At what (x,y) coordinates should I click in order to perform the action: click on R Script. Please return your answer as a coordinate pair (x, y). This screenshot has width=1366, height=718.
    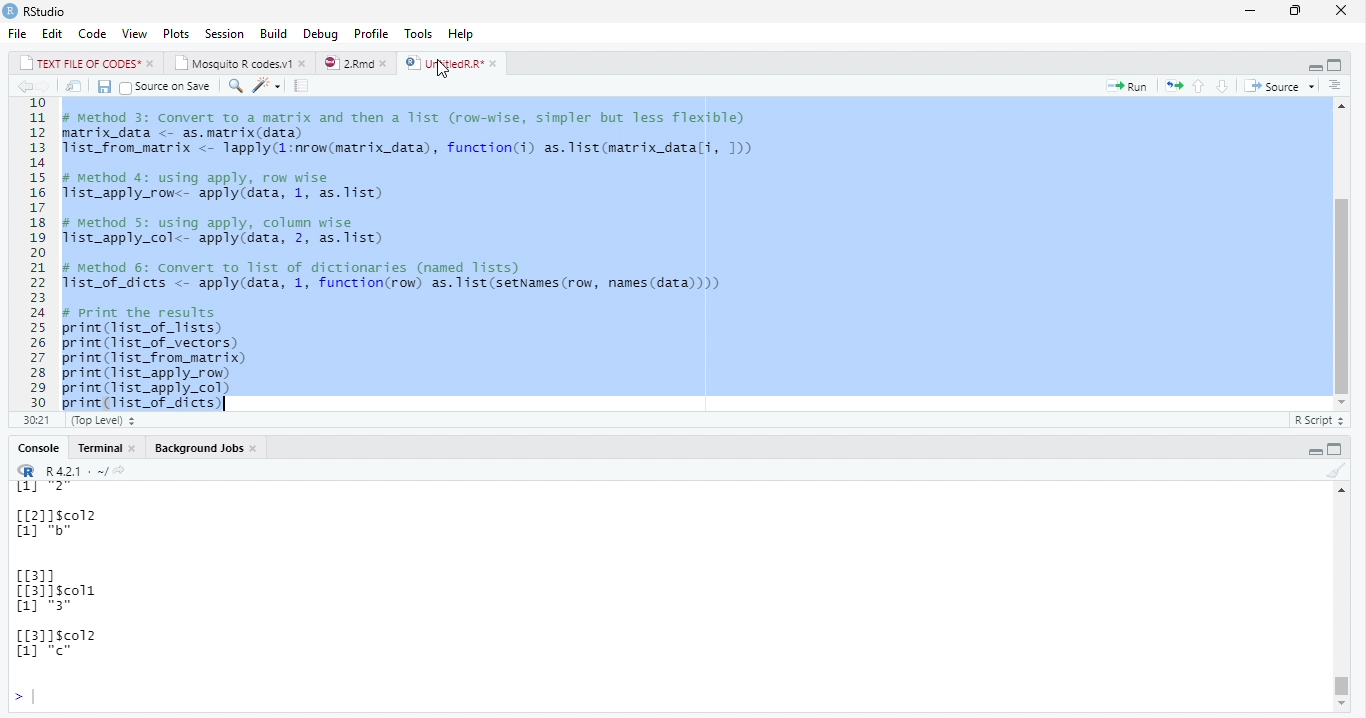
    Looking at the image, I should click on (1320, 419).